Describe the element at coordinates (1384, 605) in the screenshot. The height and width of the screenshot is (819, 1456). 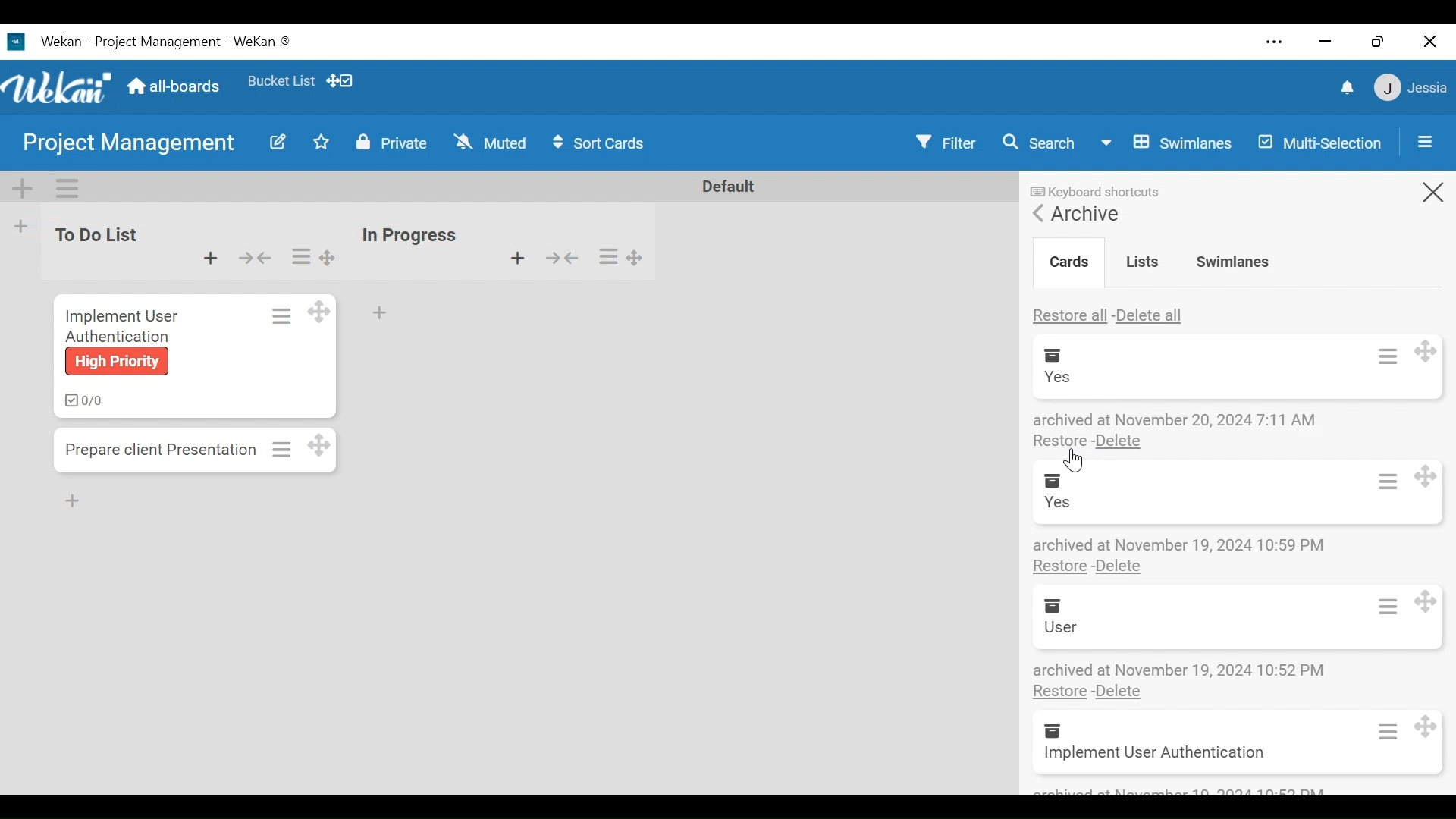
I see `Card actions` at that location.